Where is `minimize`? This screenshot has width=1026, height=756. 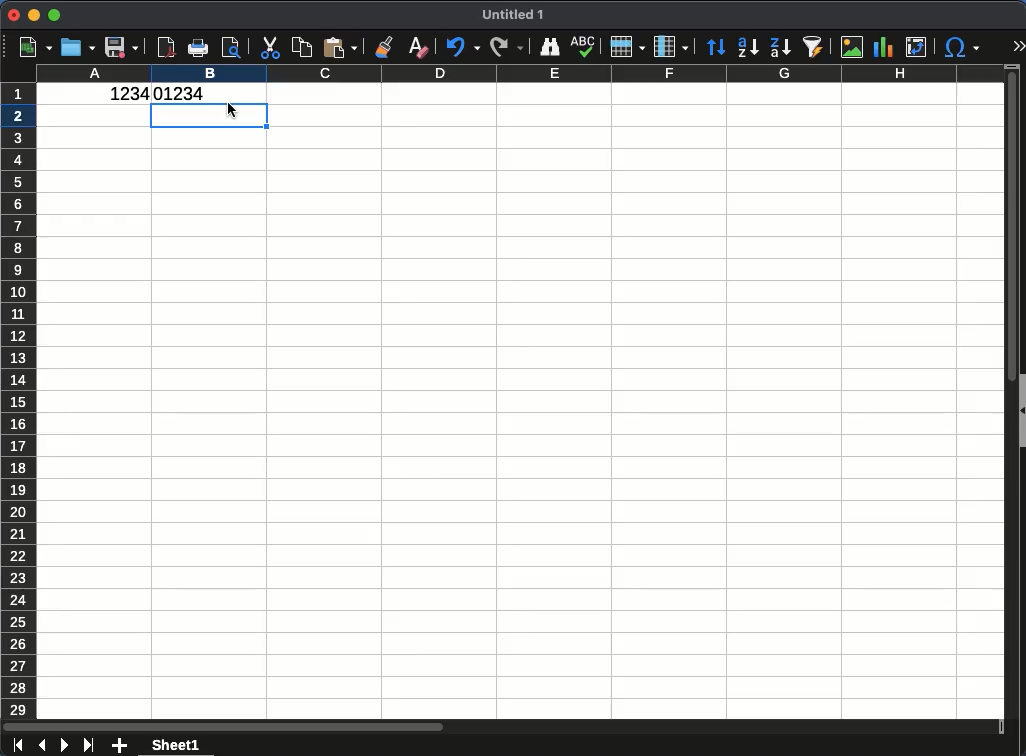
minimize is located at coordinates (34, 14).